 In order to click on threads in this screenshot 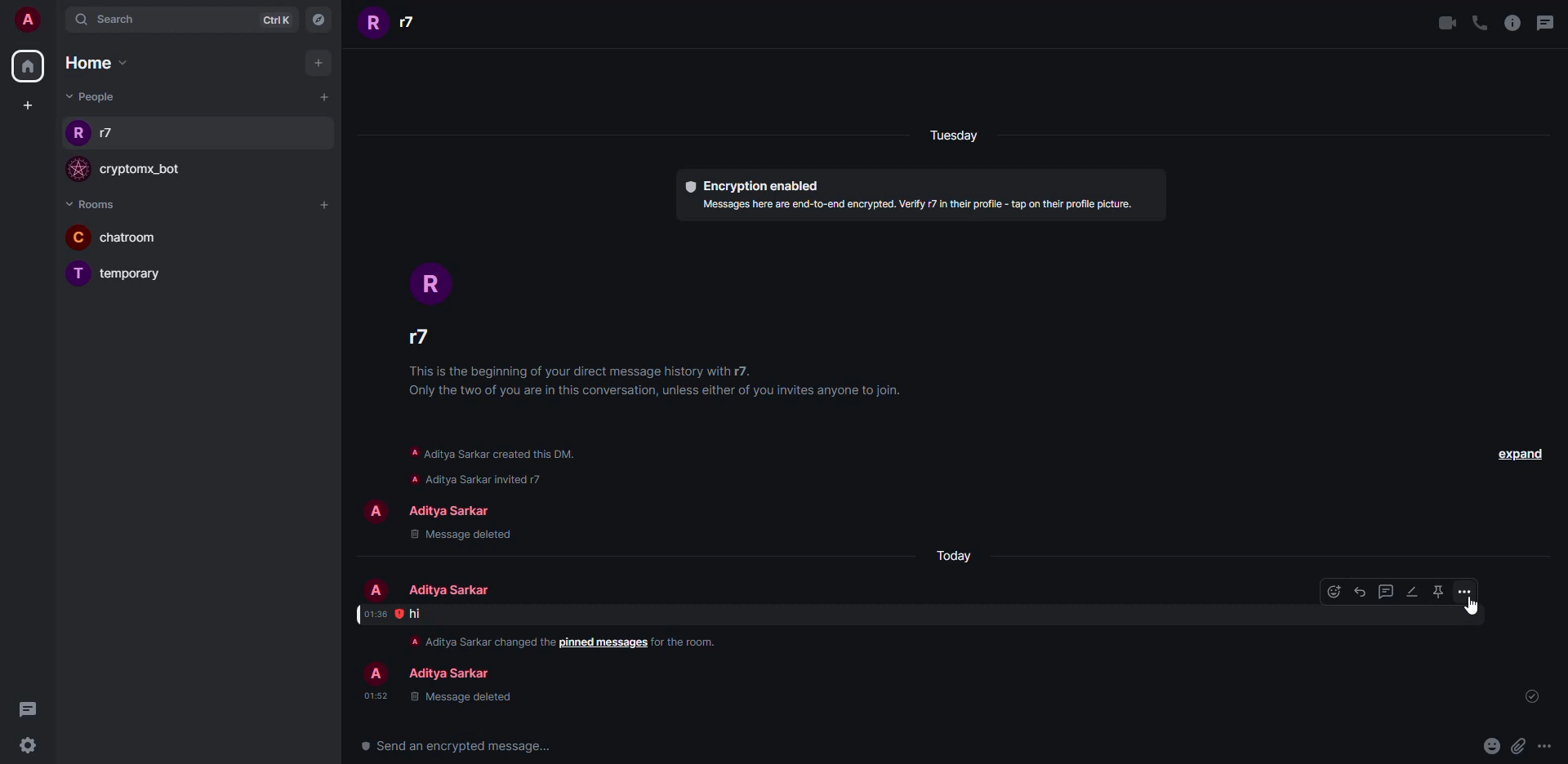, I will do `click(33, 710)`.